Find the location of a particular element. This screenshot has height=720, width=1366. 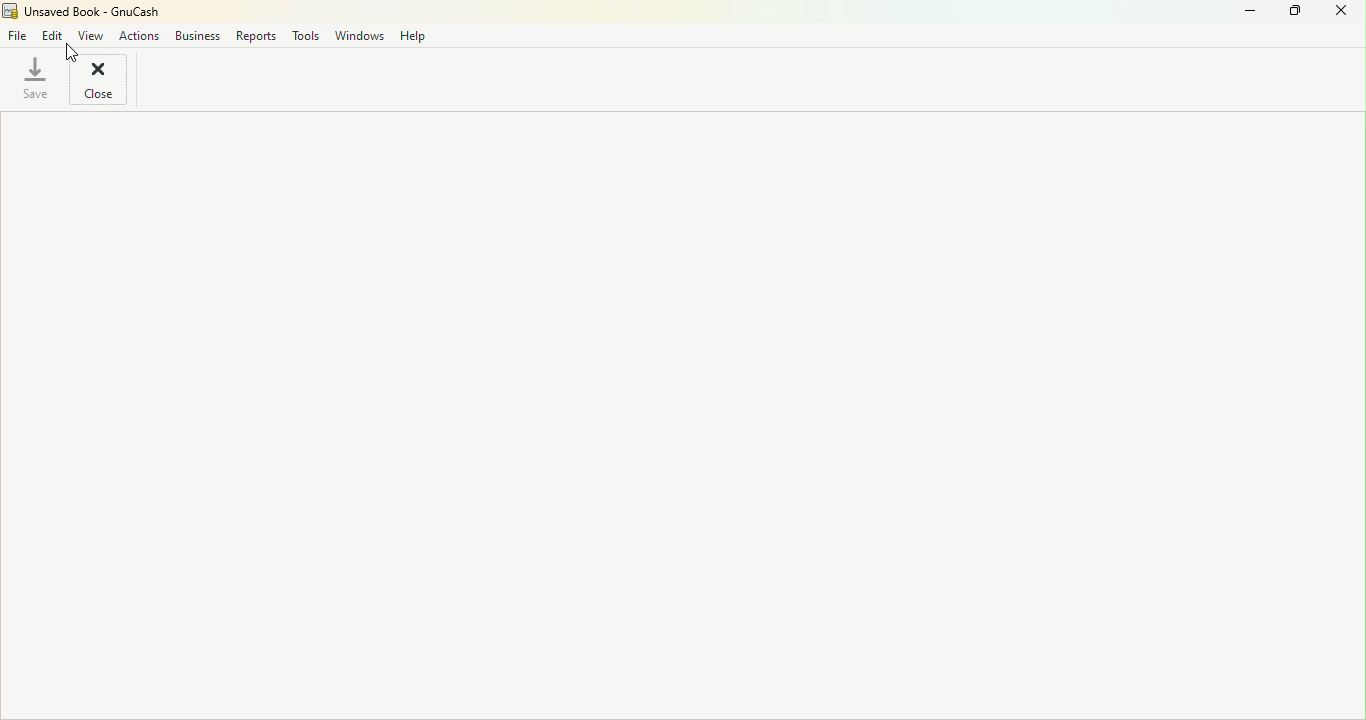

Reports is located at coordinates (258, 37).